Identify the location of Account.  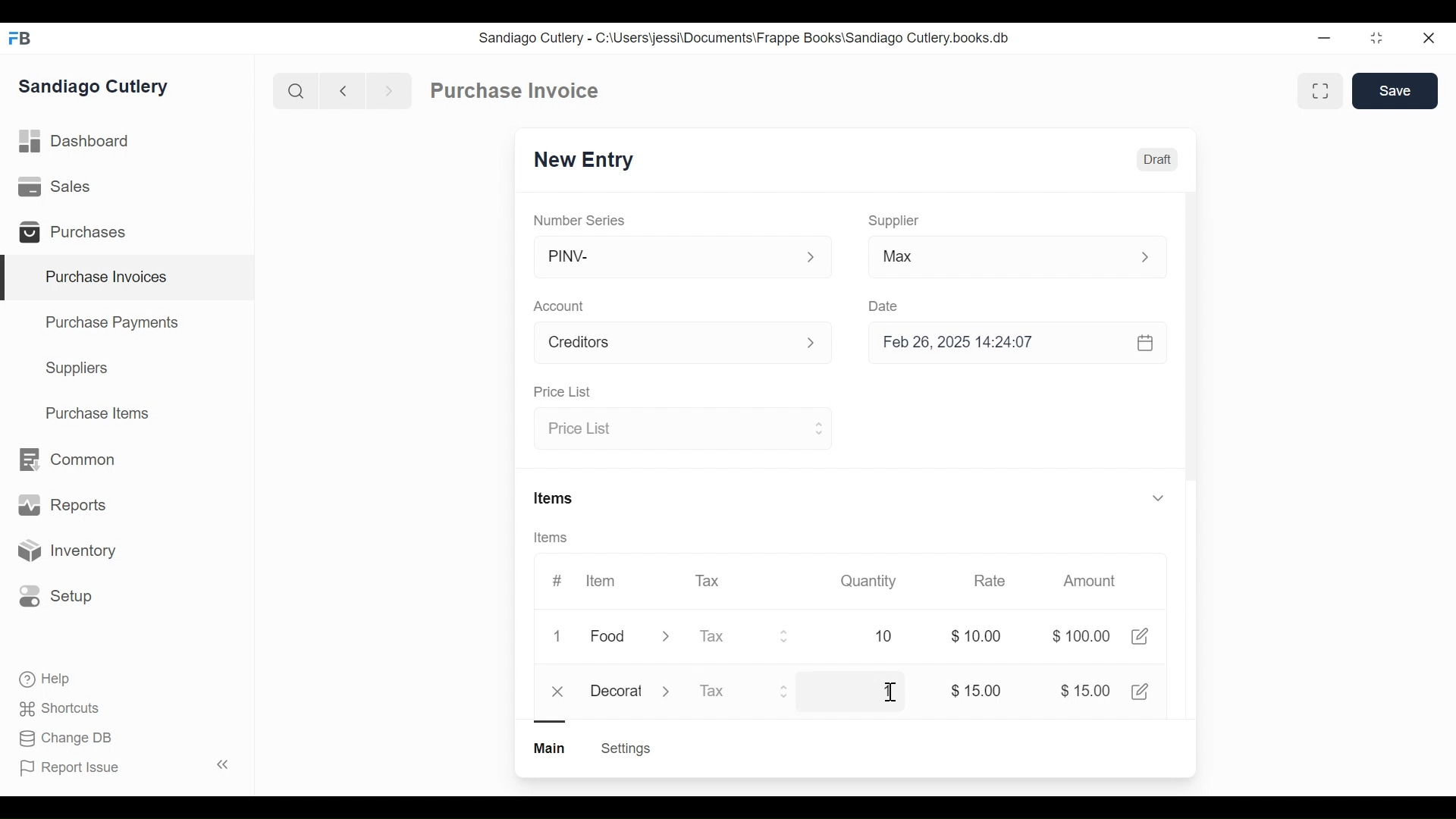
(664, 345).